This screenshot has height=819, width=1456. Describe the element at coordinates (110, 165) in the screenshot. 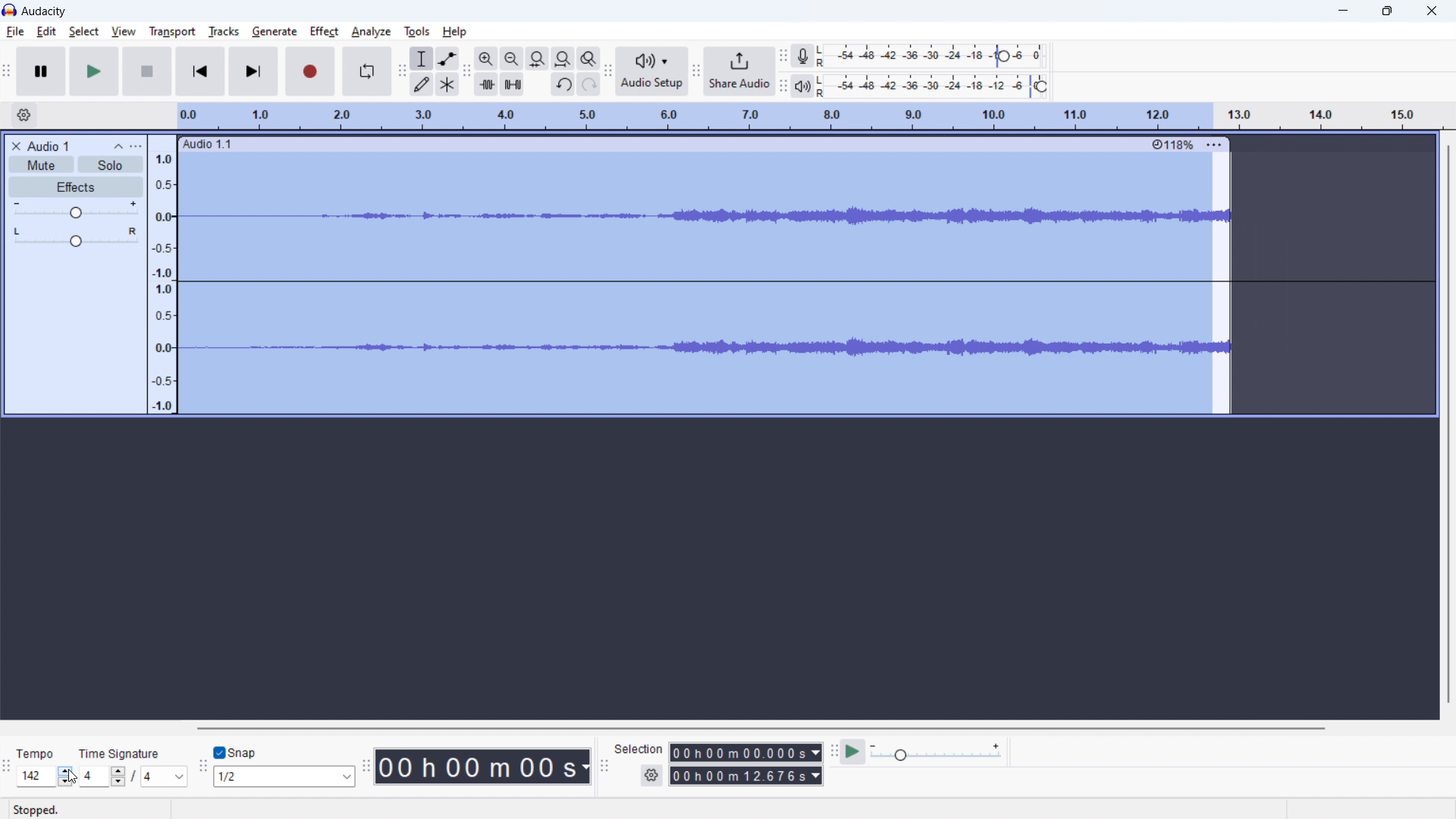

I see `solo` at that location.